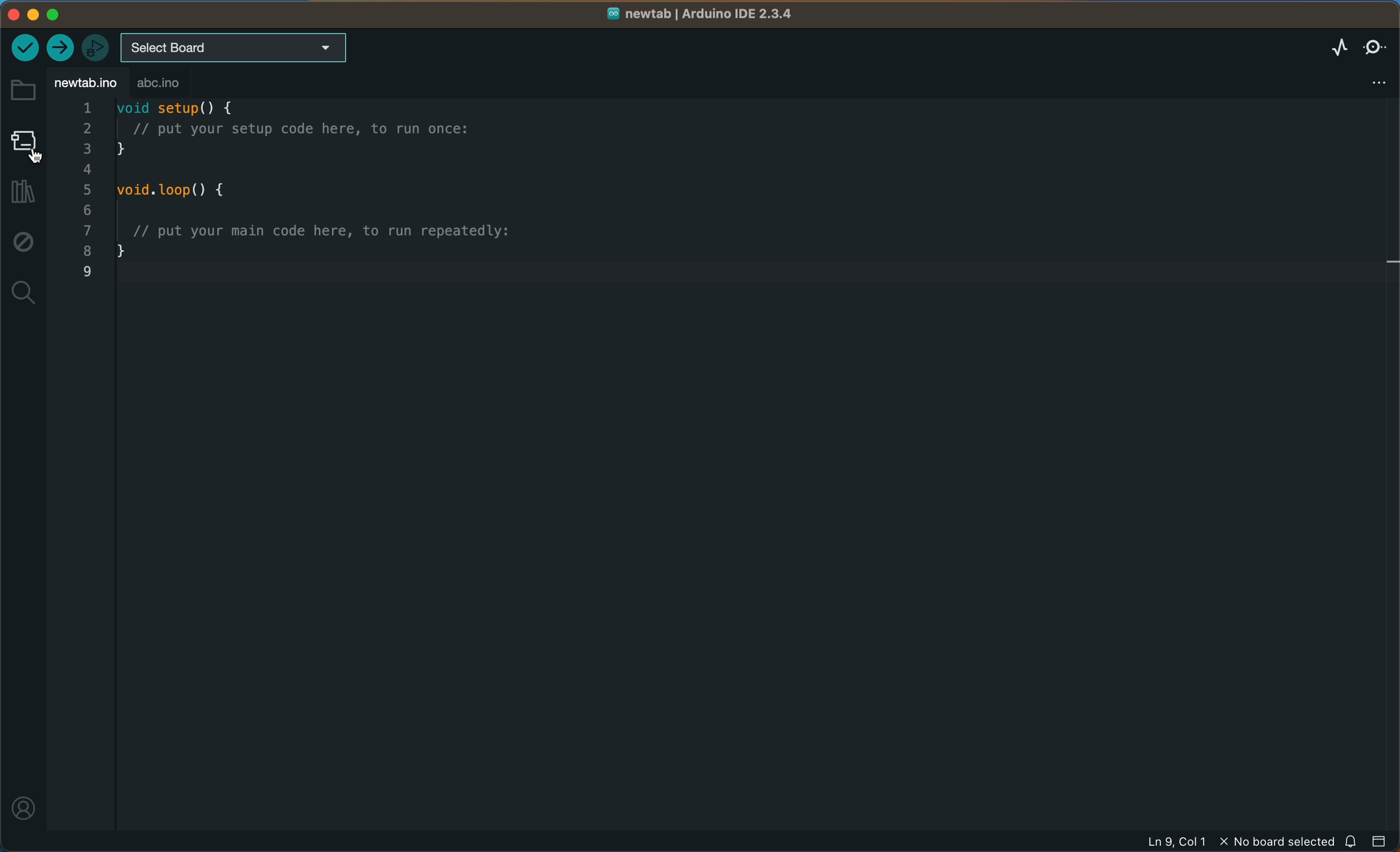 The image size is (1400, 852). Describe the element at coordinates (1336, 47) in the screenshot. I see `serial plotter` at that location.